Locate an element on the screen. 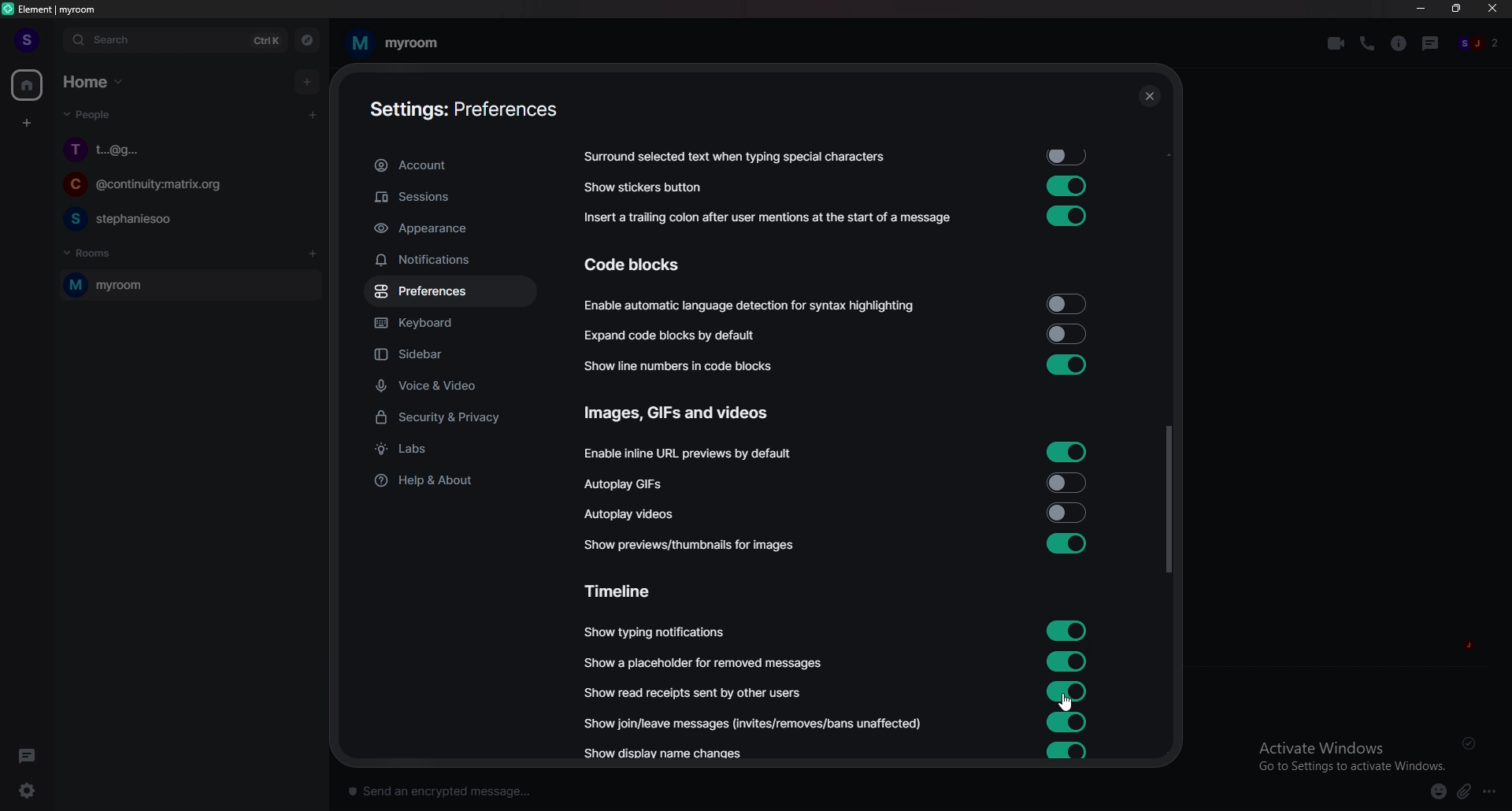  voice call is located at coordinates (1367, 43).